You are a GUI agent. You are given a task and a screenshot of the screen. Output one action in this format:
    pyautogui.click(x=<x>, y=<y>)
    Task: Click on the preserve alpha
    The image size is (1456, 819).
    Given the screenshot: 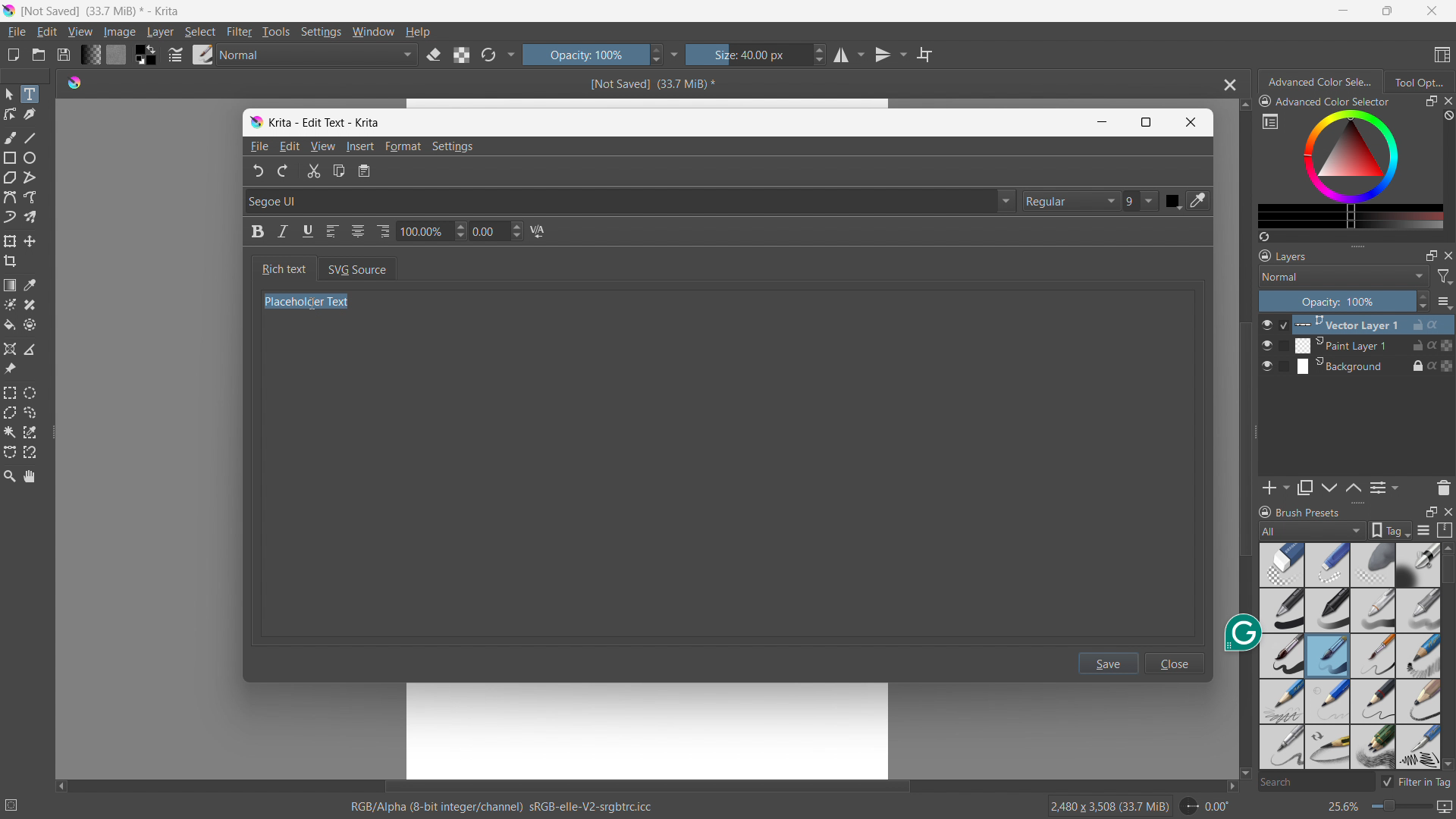 What is the action you would take?
    pyautogui.click(x=461, y=55)
    